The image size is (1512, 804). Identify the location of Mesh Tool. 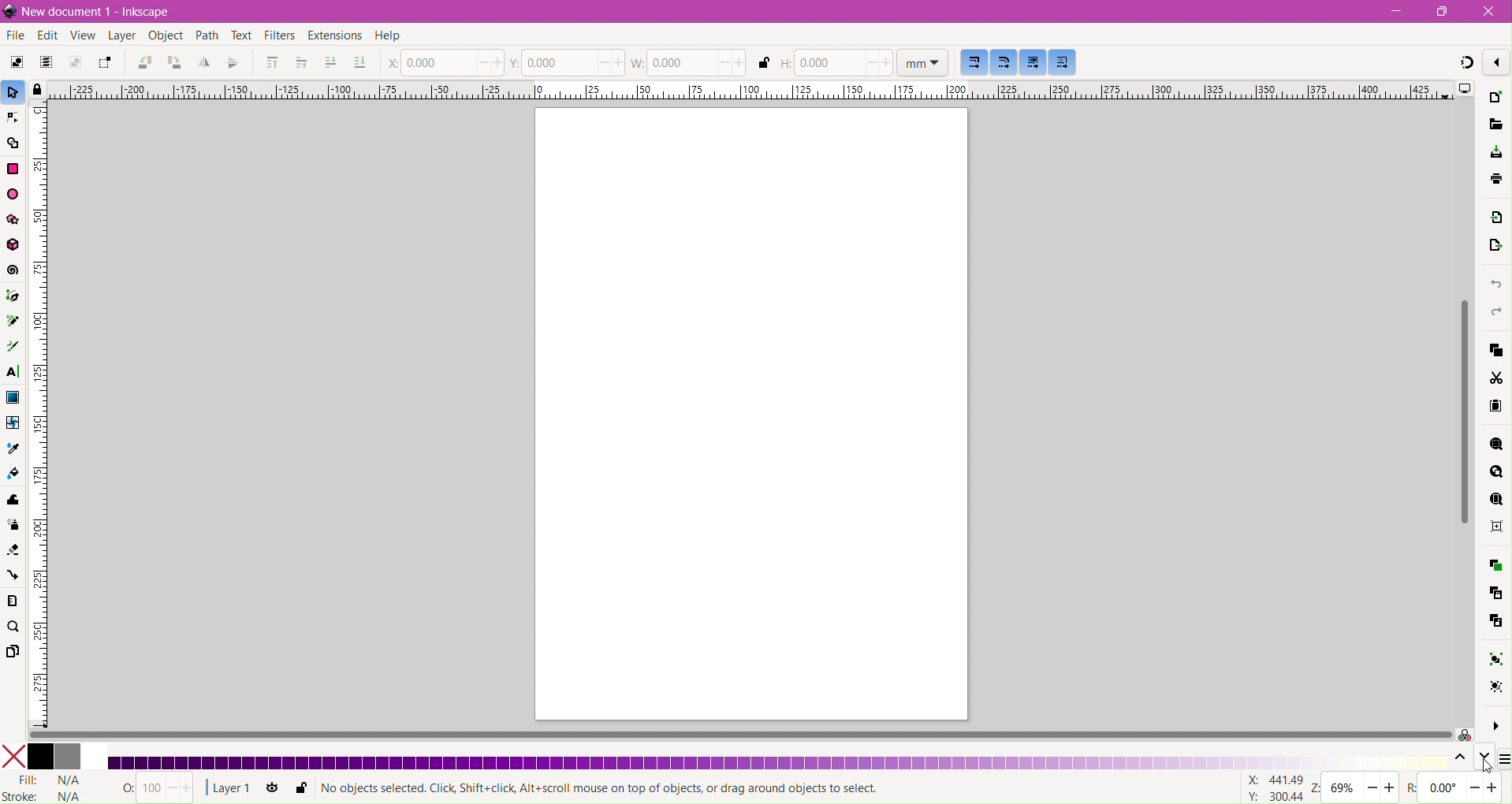
(12, 422).